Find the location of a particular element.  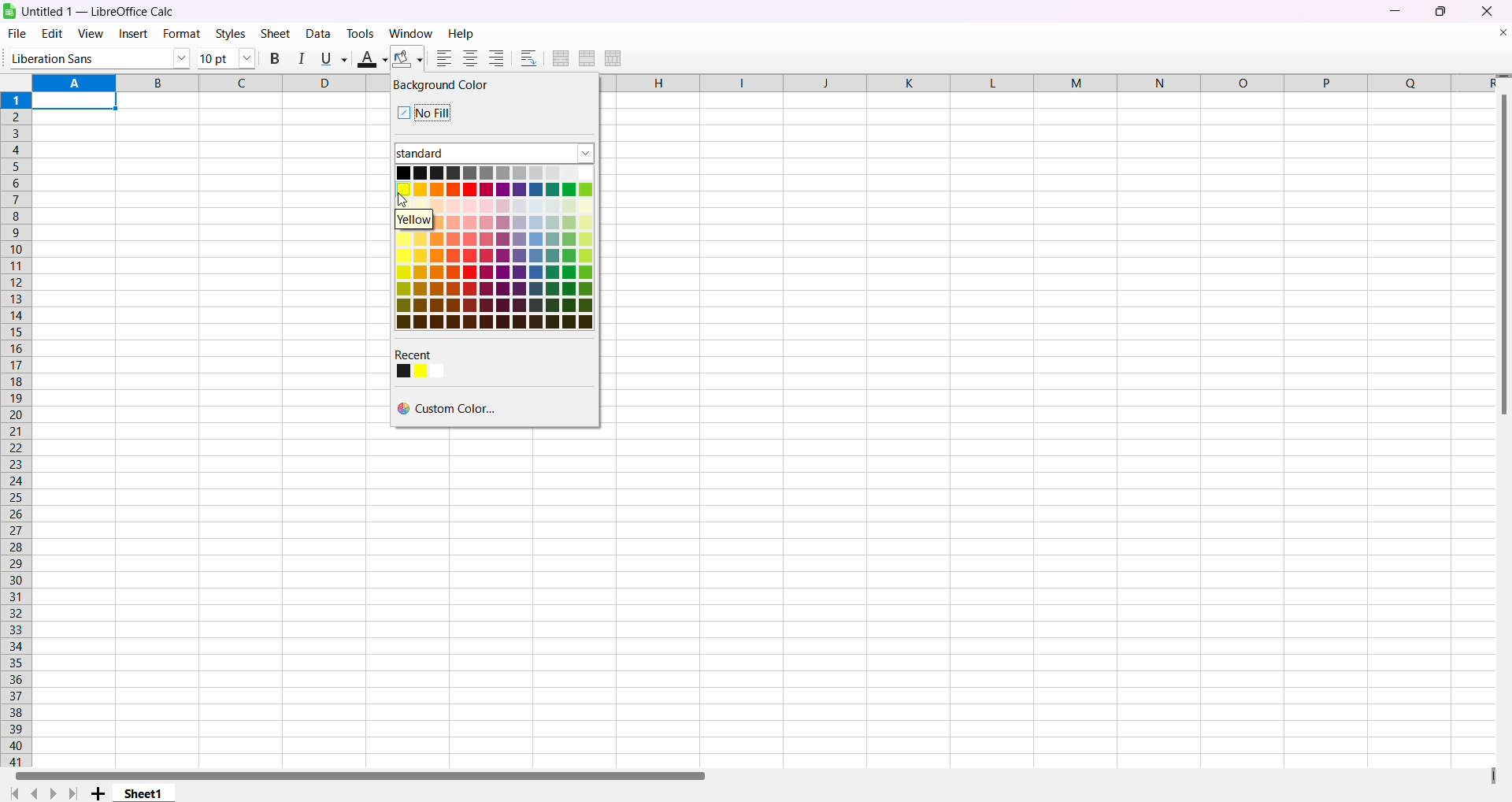

view is located at coordinates (87, 35).